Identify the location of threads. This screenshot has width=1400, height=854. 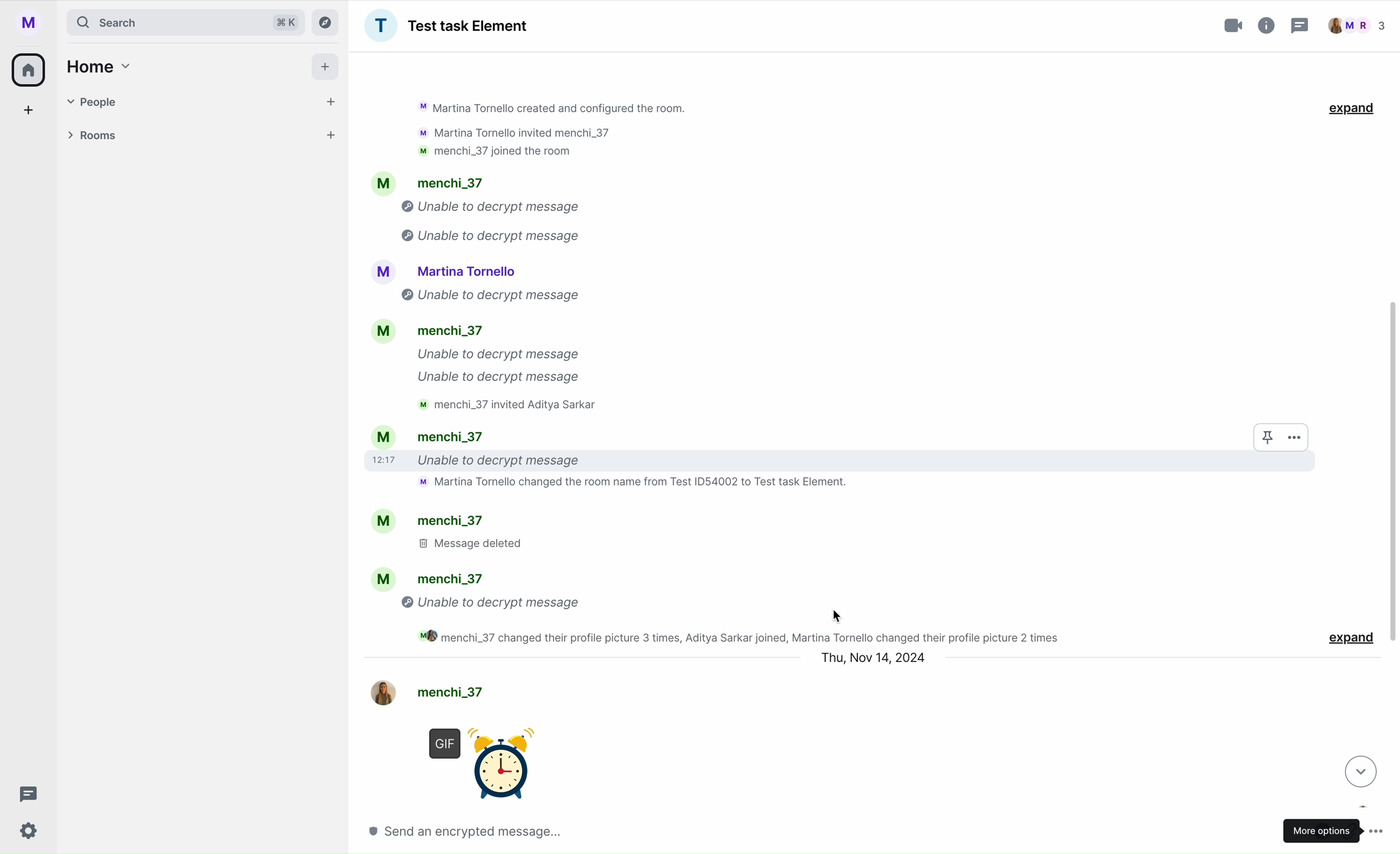
(25, 794).